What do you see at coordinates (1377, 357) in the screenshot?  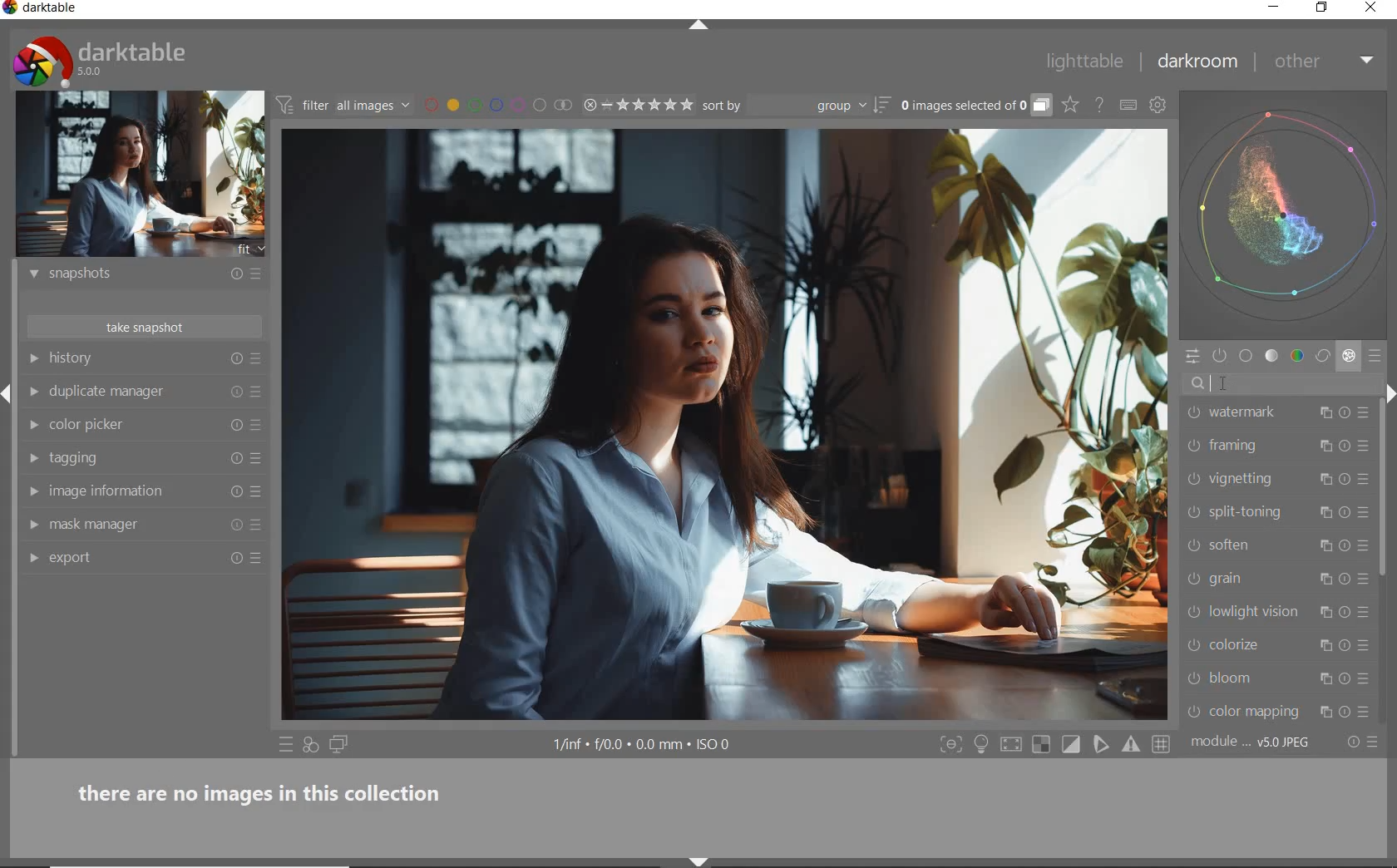 I see `presets` at bounding box center [1377, 357].